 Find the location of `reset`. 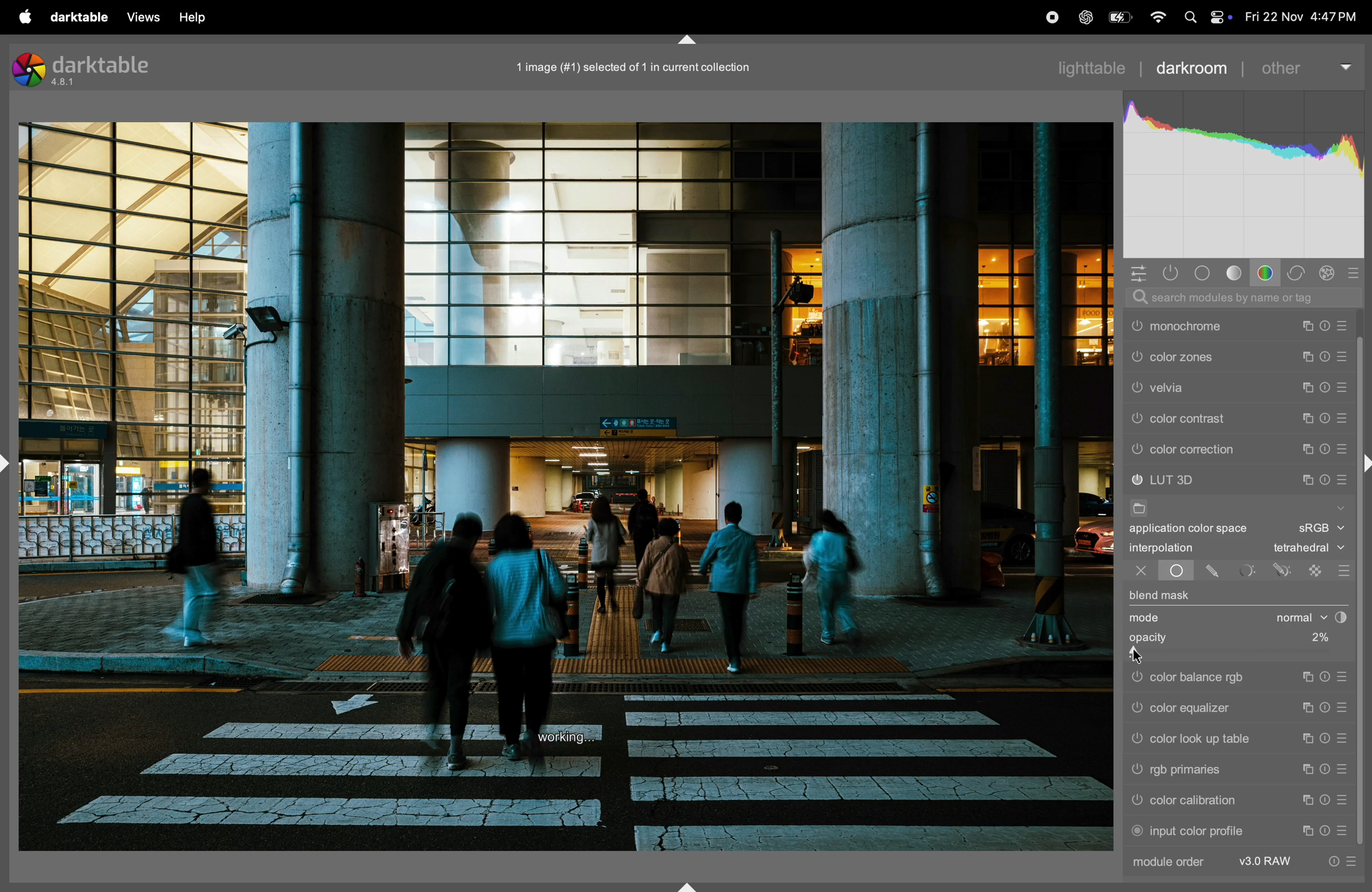

reset is located at coordinates (1326, 738).